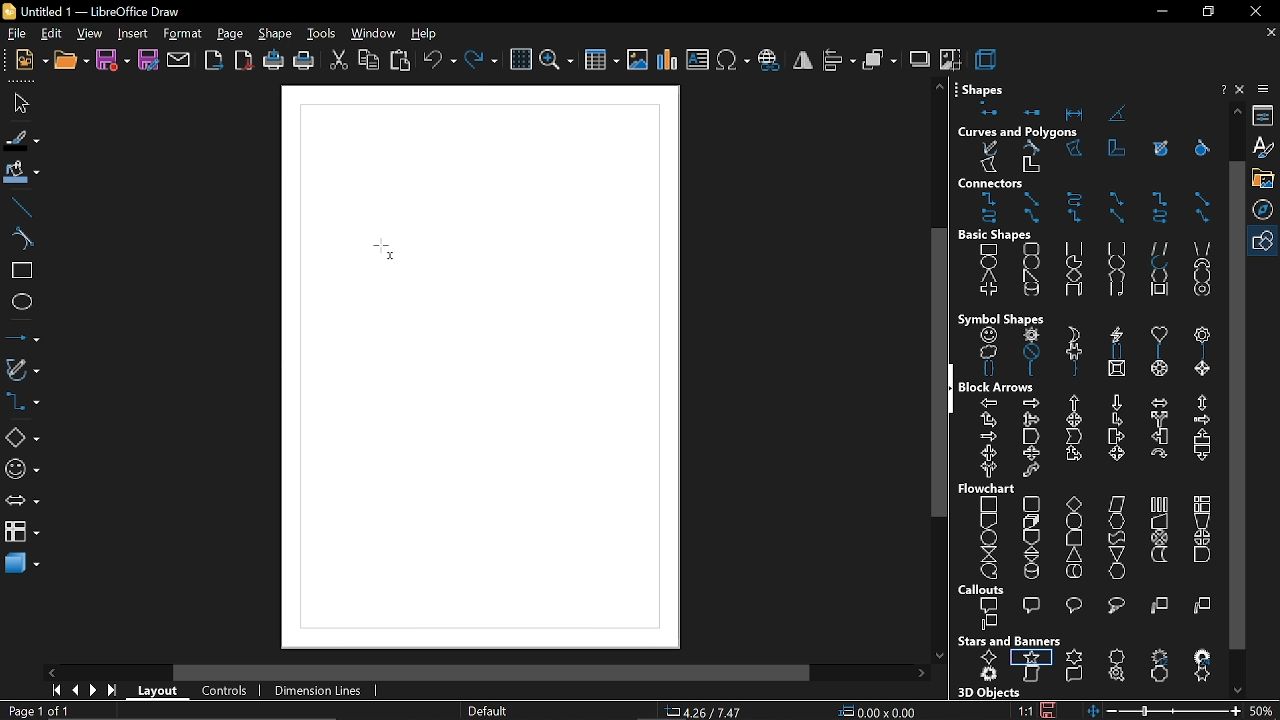 The image size is (1280, 720). What do you see at coordinates (1210, 13) in the screenshot?
I see `restore down` at bounding box center [1210, 13].